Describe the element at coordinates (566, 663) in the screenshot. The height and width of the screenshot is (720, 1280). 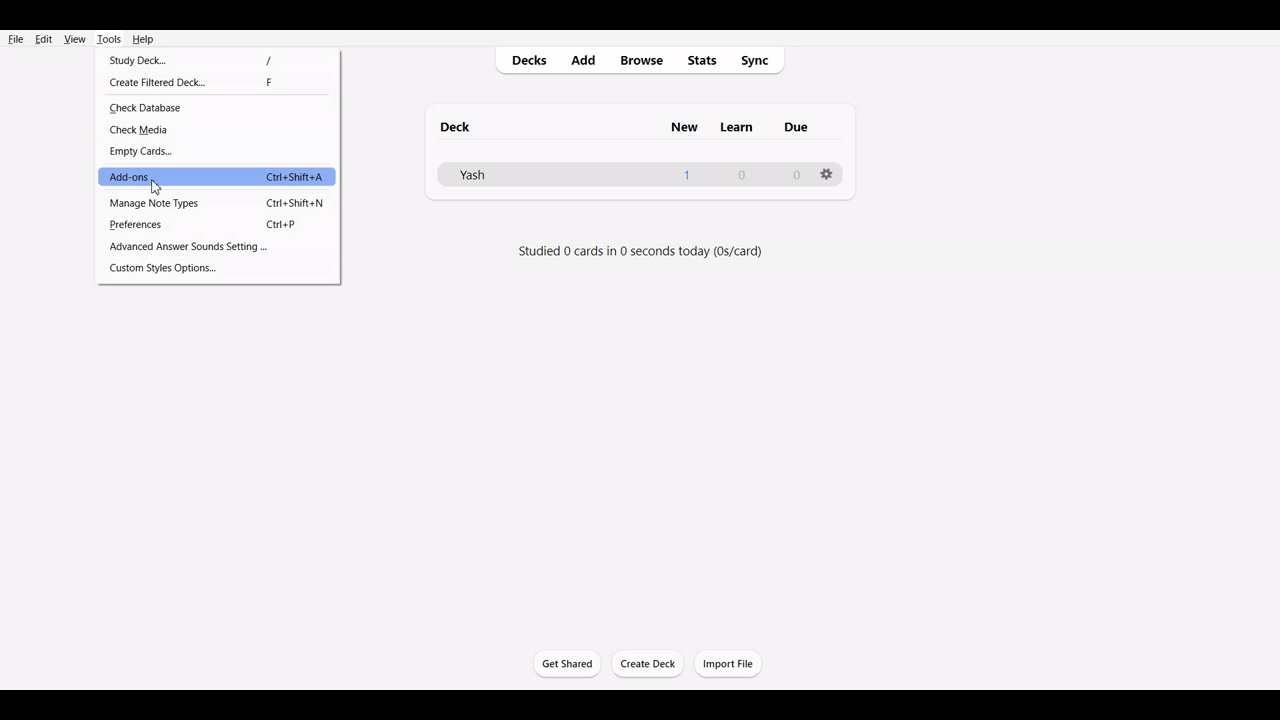
I see `Get Started` at that location.